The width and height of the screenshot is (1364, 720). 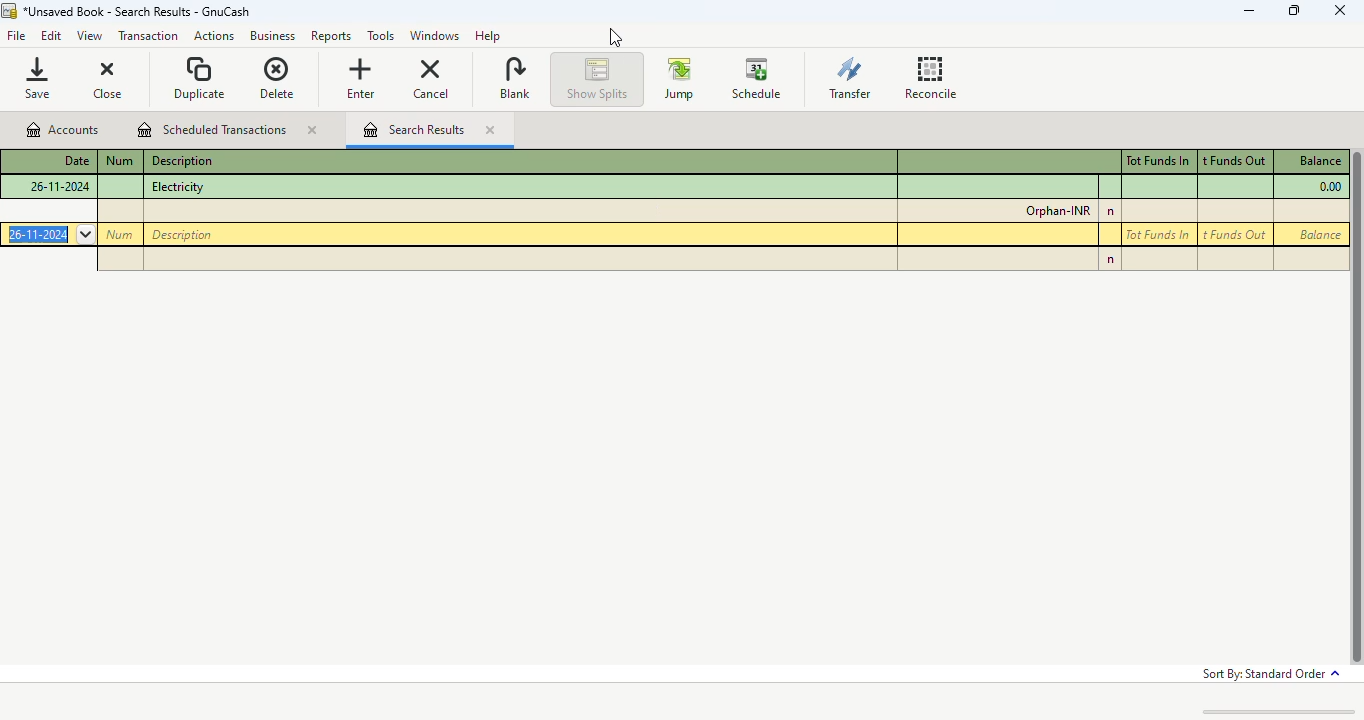 What do you see at coordinates (9, 11) in the screenshot?
I see `logo` at bounding box center [9, 11].